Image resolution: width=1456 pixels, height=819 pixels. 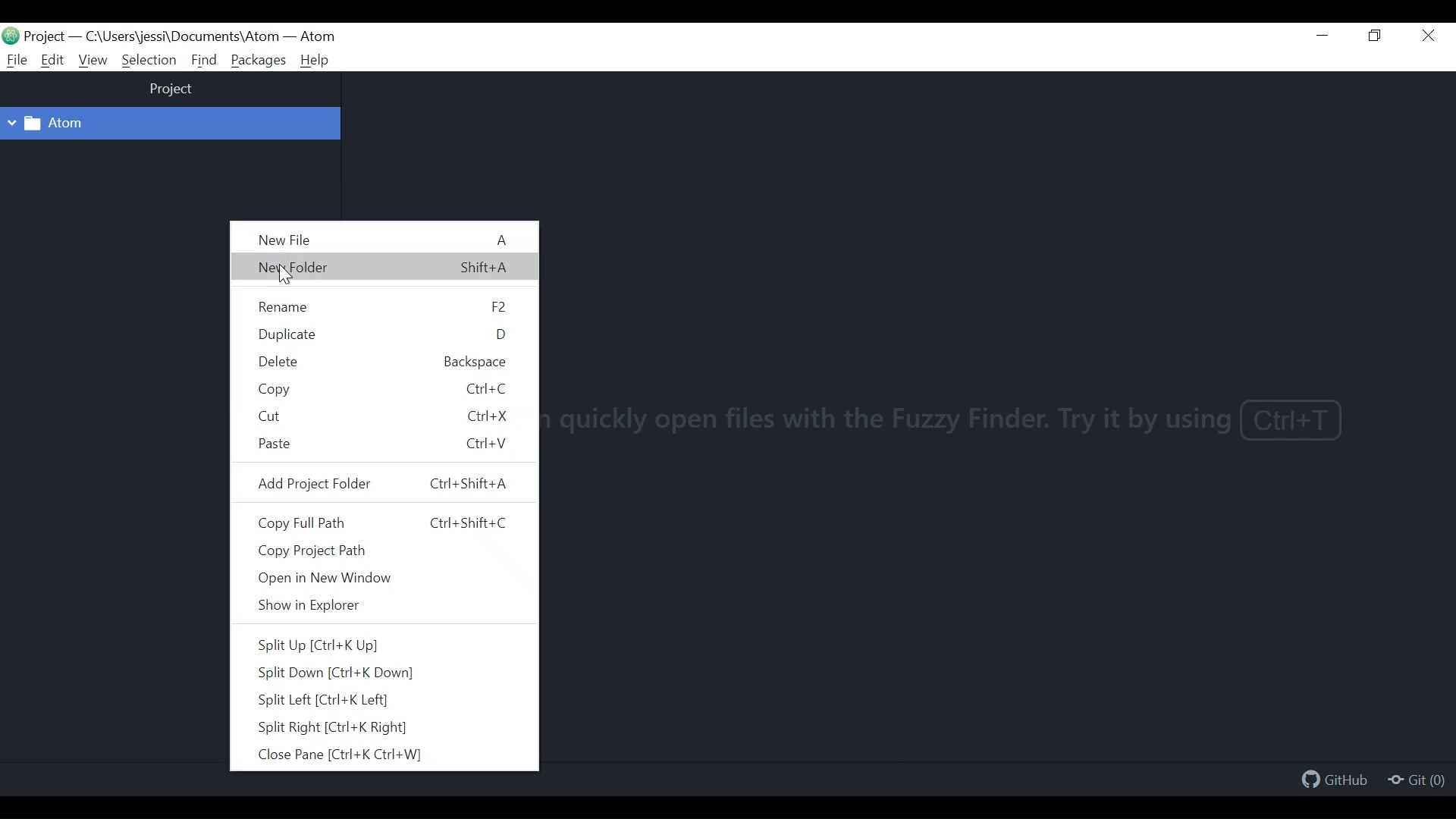 What do you see at coordinates (291, 266) in the screenshot?
I see `New Folder` at bounding box center [291, 266].